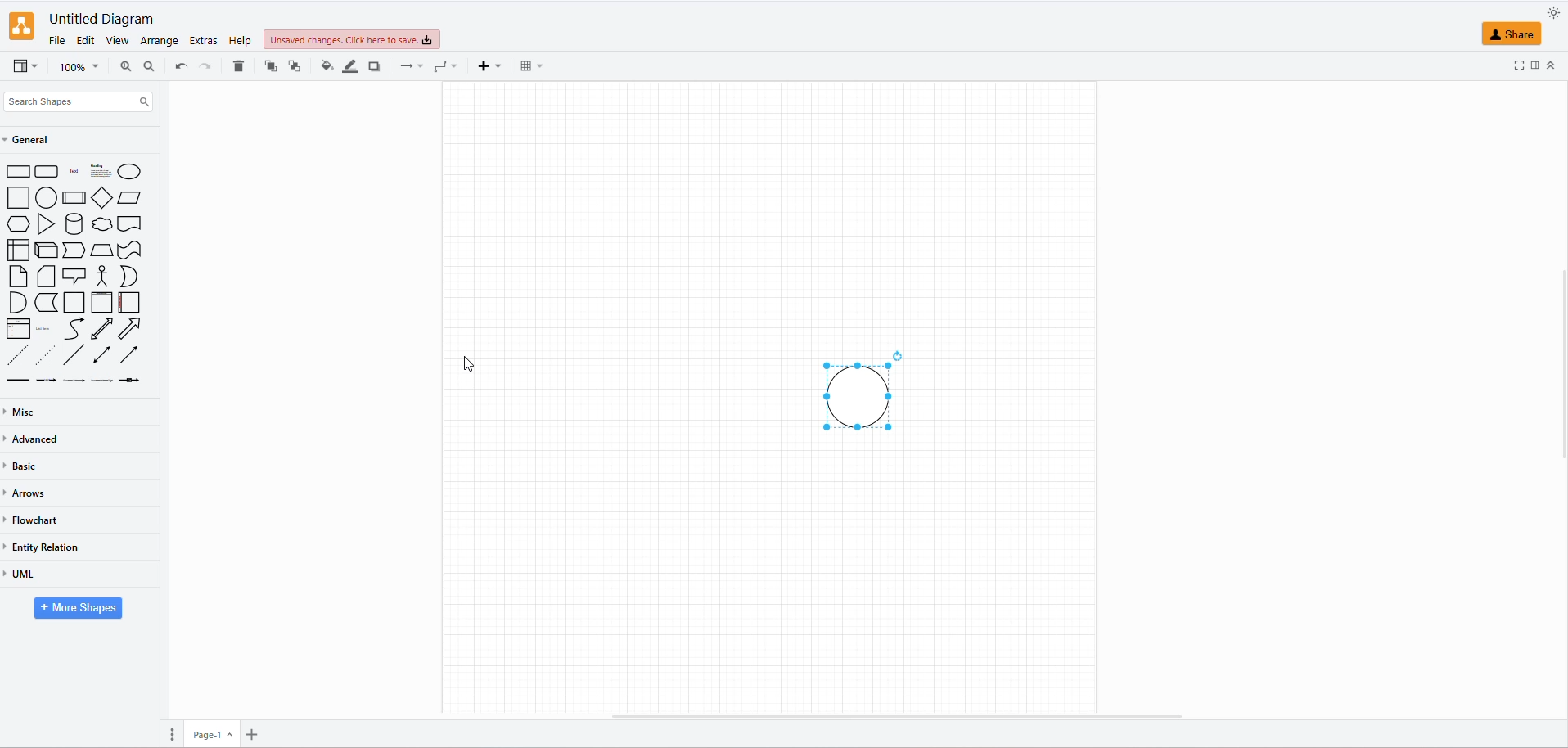  Describe the element at coordinates (75, 329) in the screenshot. I see `CURVE` at that location.